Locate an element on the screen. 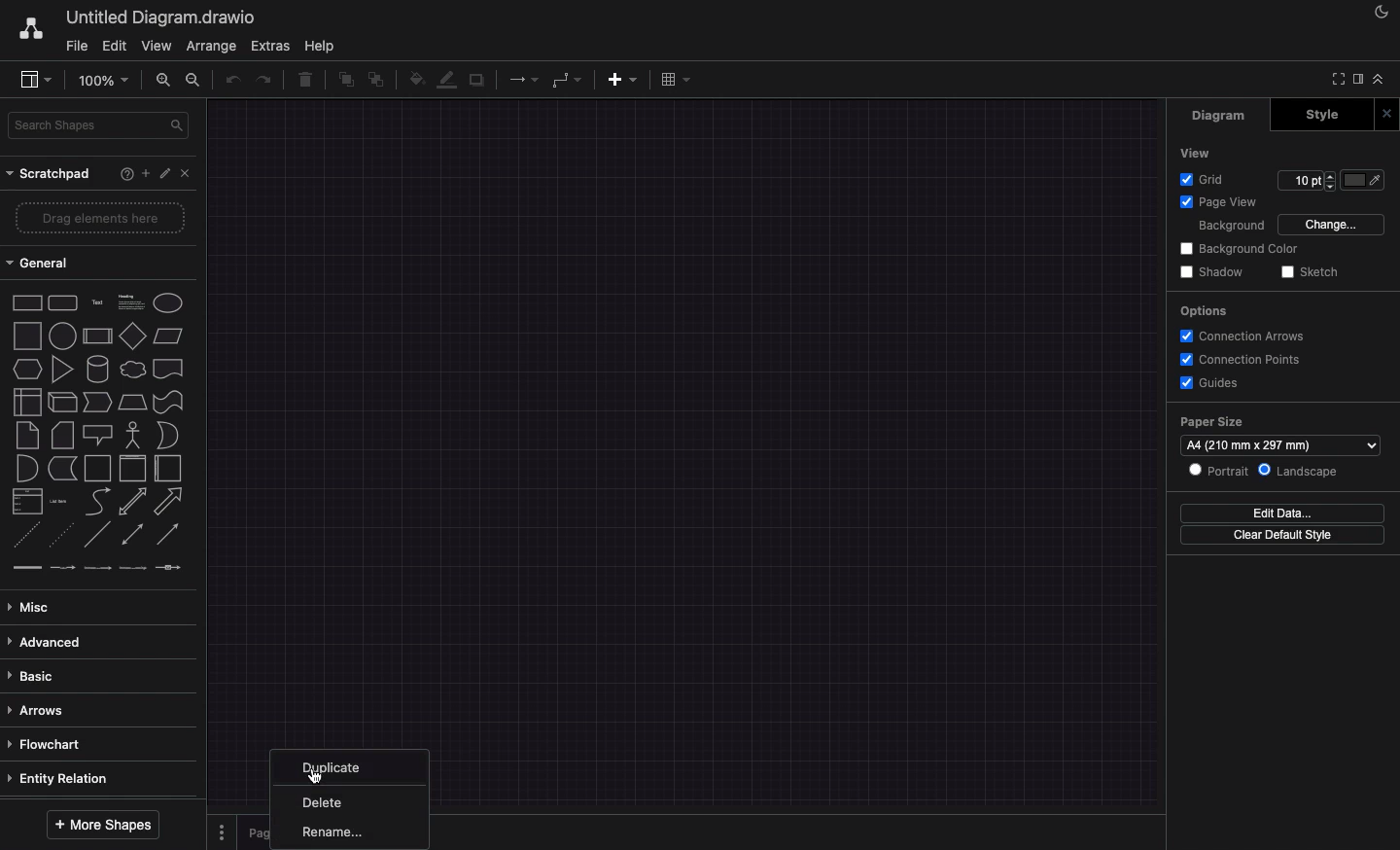 Image resolution: width=1400 pixels, height=850 pixels. connector with 3 labels is located at coordinates (133, 568).